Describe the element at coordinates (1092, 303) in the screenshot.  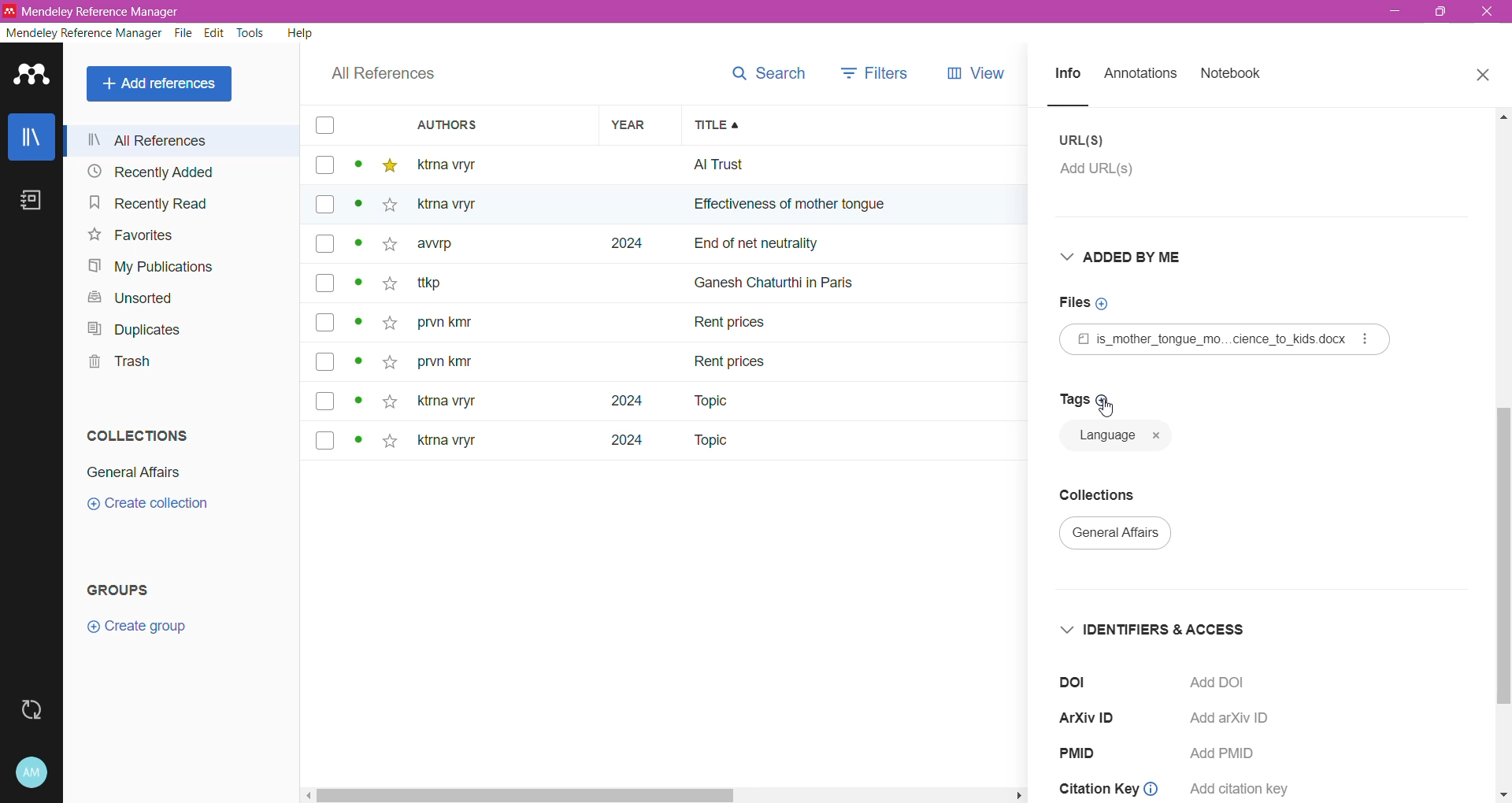
I see `Click to add Files` at that location.